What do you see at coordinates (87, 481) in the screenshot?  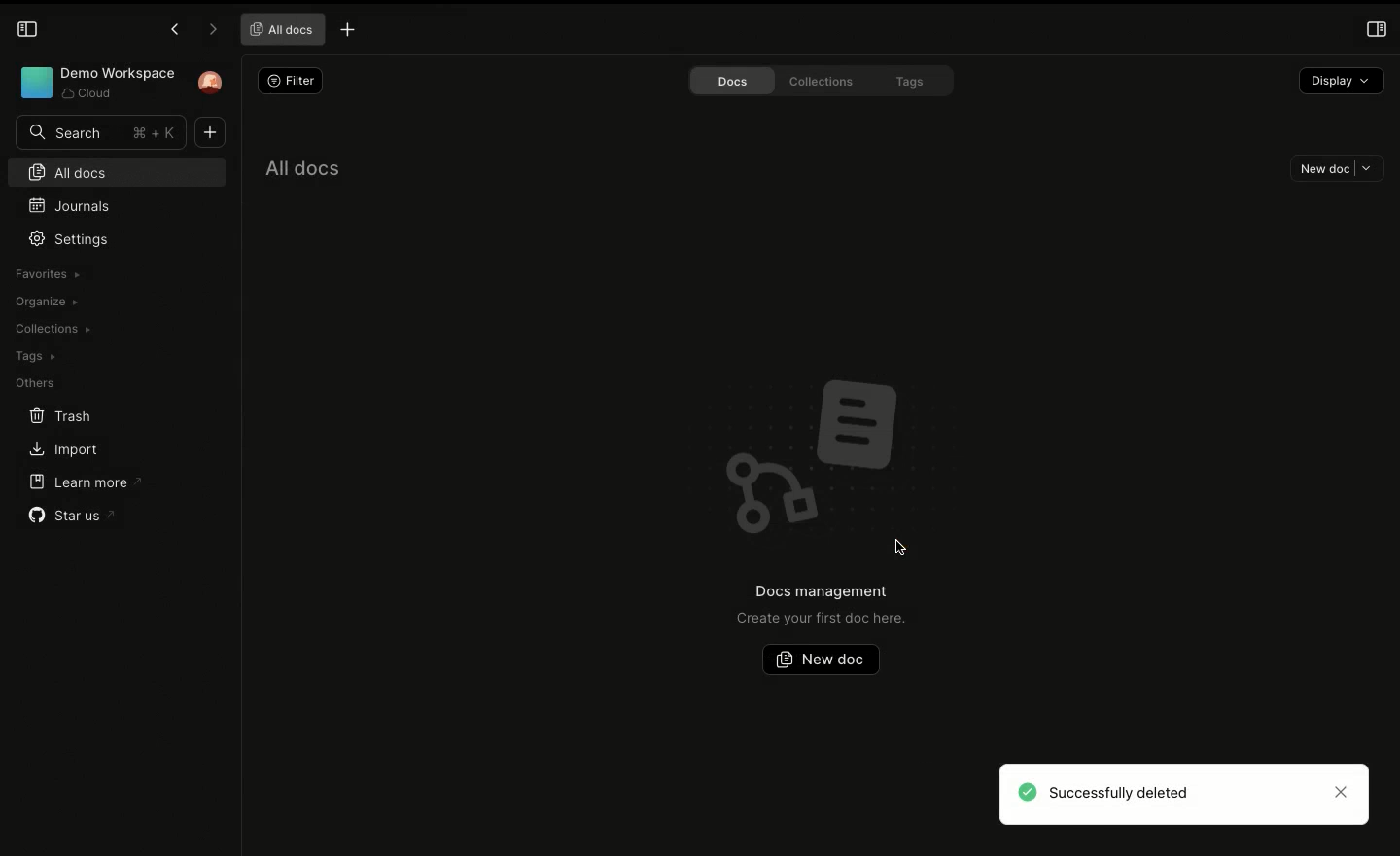 I see `Learn more` at bounding box center [87, 481].